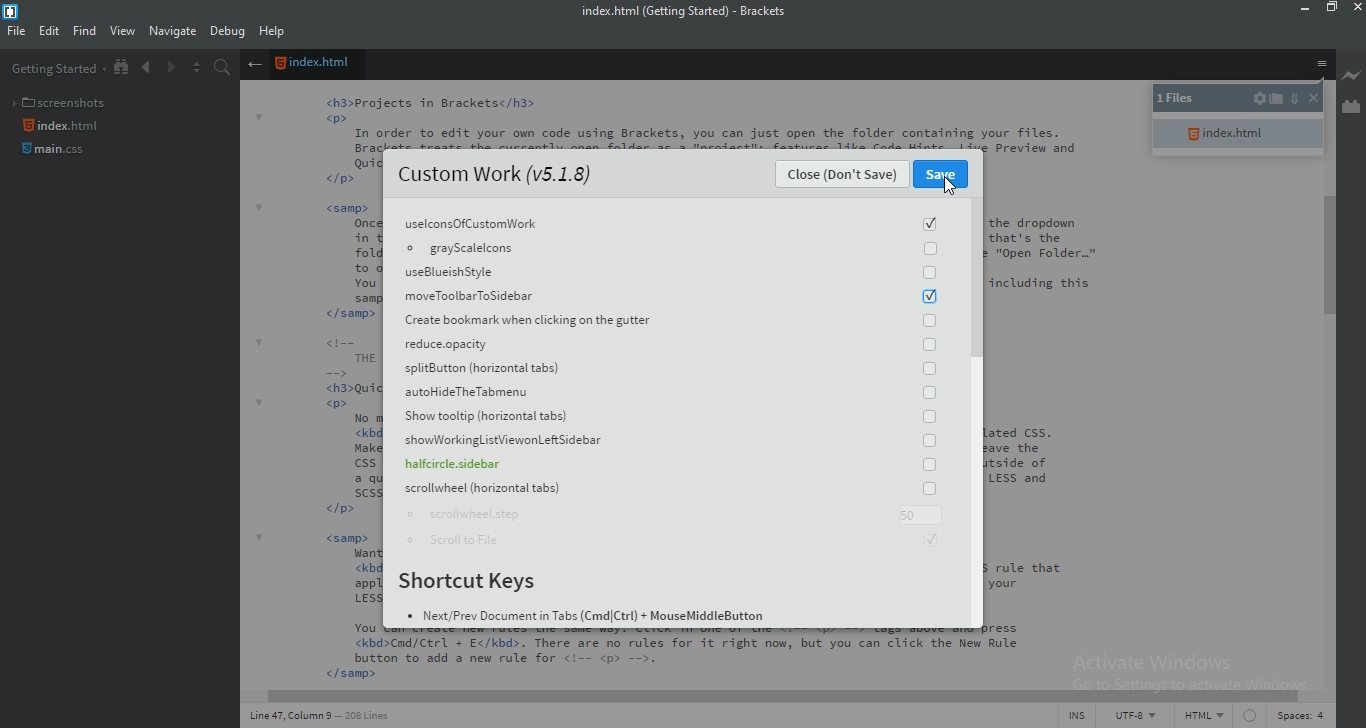  What do you see at coordinates (84, 33) in the screenshot?
I see `Find` at bounding box center [84, 33].